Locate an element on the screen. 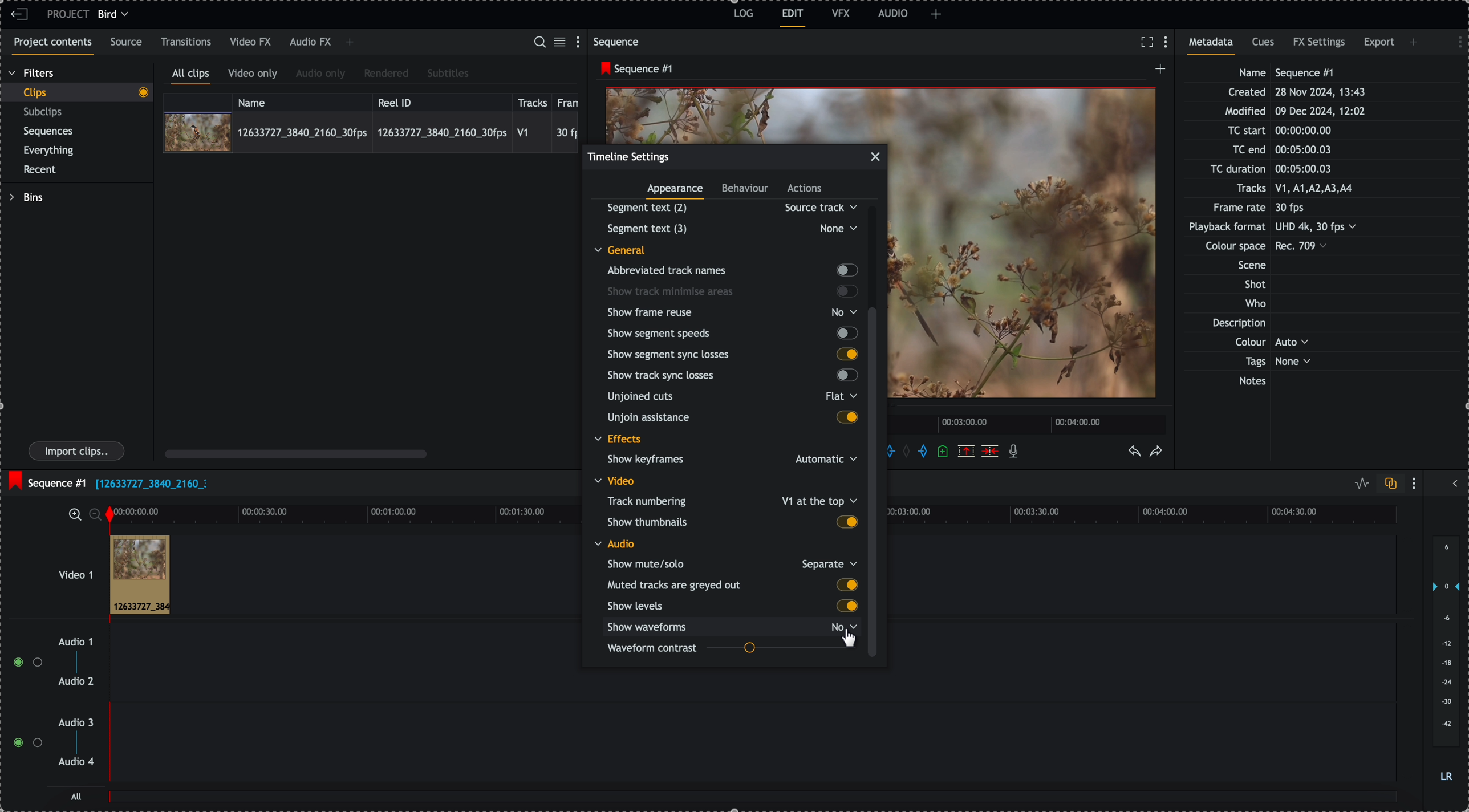  bins is located at coordinates (26, 197).